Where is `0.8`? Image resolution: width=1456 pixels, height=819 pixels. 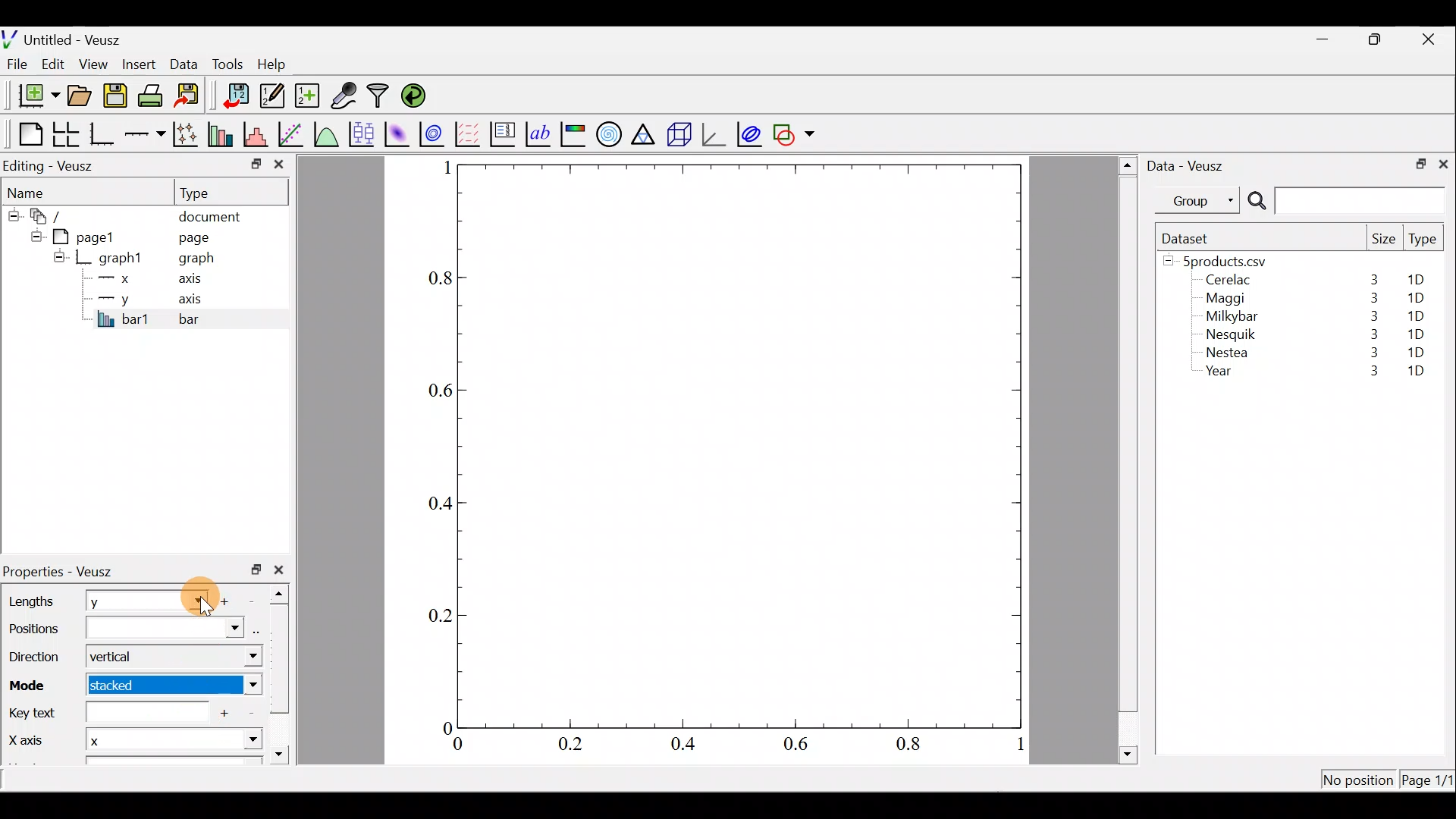
0.8 is located at coordinates (438, 279).